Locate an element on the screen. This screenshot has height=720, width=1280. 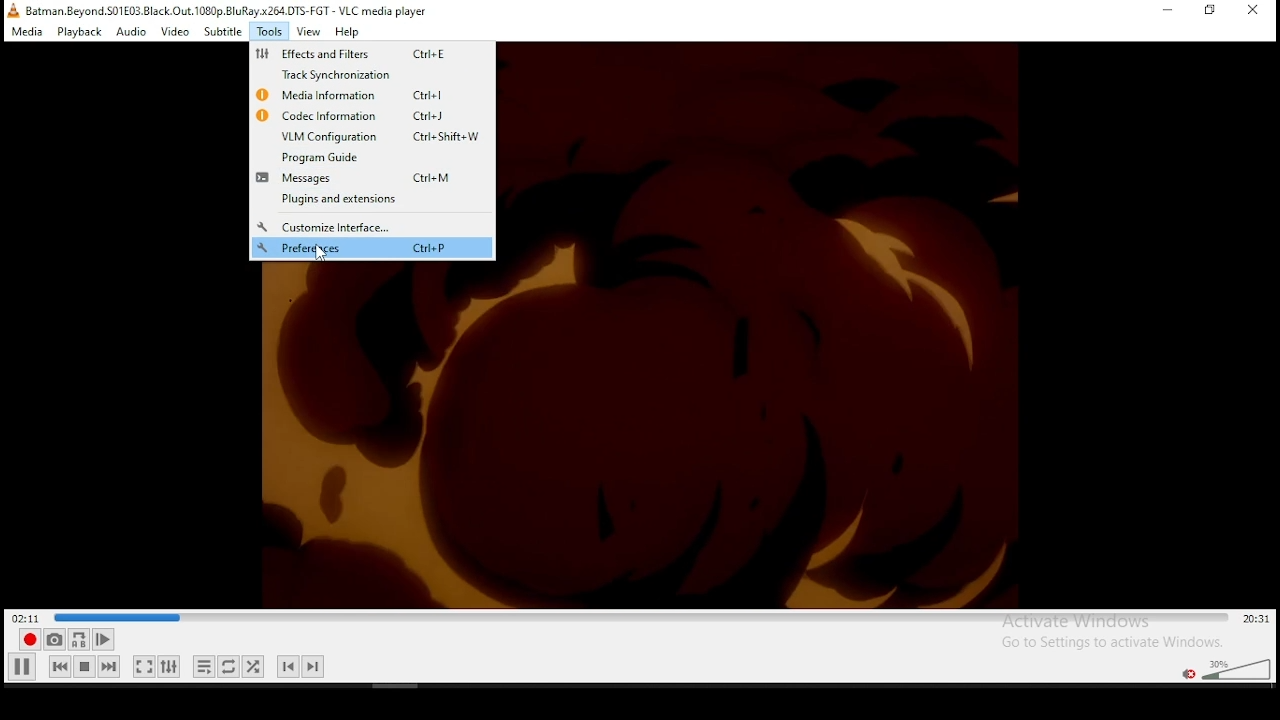
video is located at coordinates (641, 448).